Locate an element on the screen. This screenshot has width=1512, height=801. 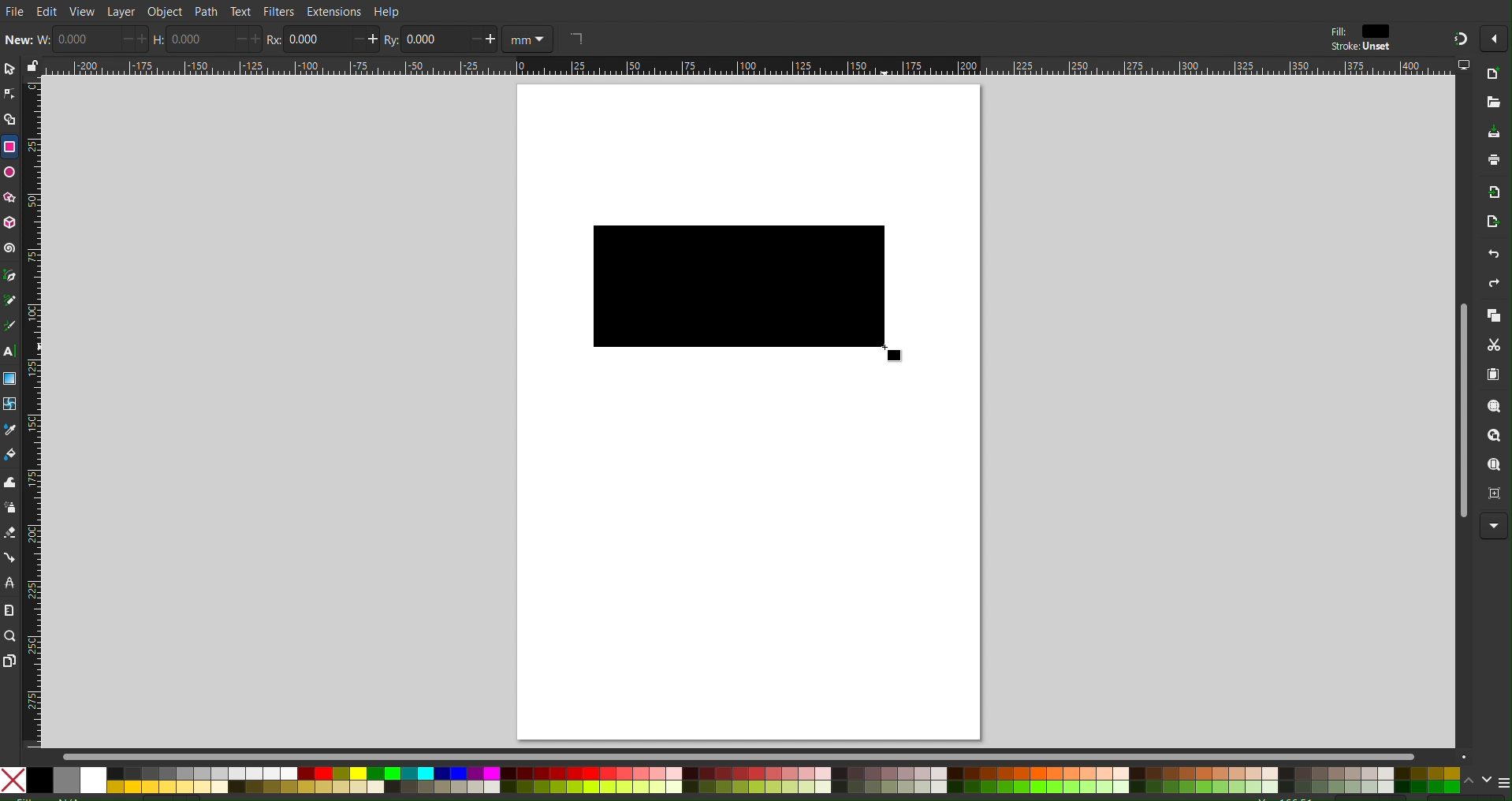
Rectangle is located at coordinates (9, 147).